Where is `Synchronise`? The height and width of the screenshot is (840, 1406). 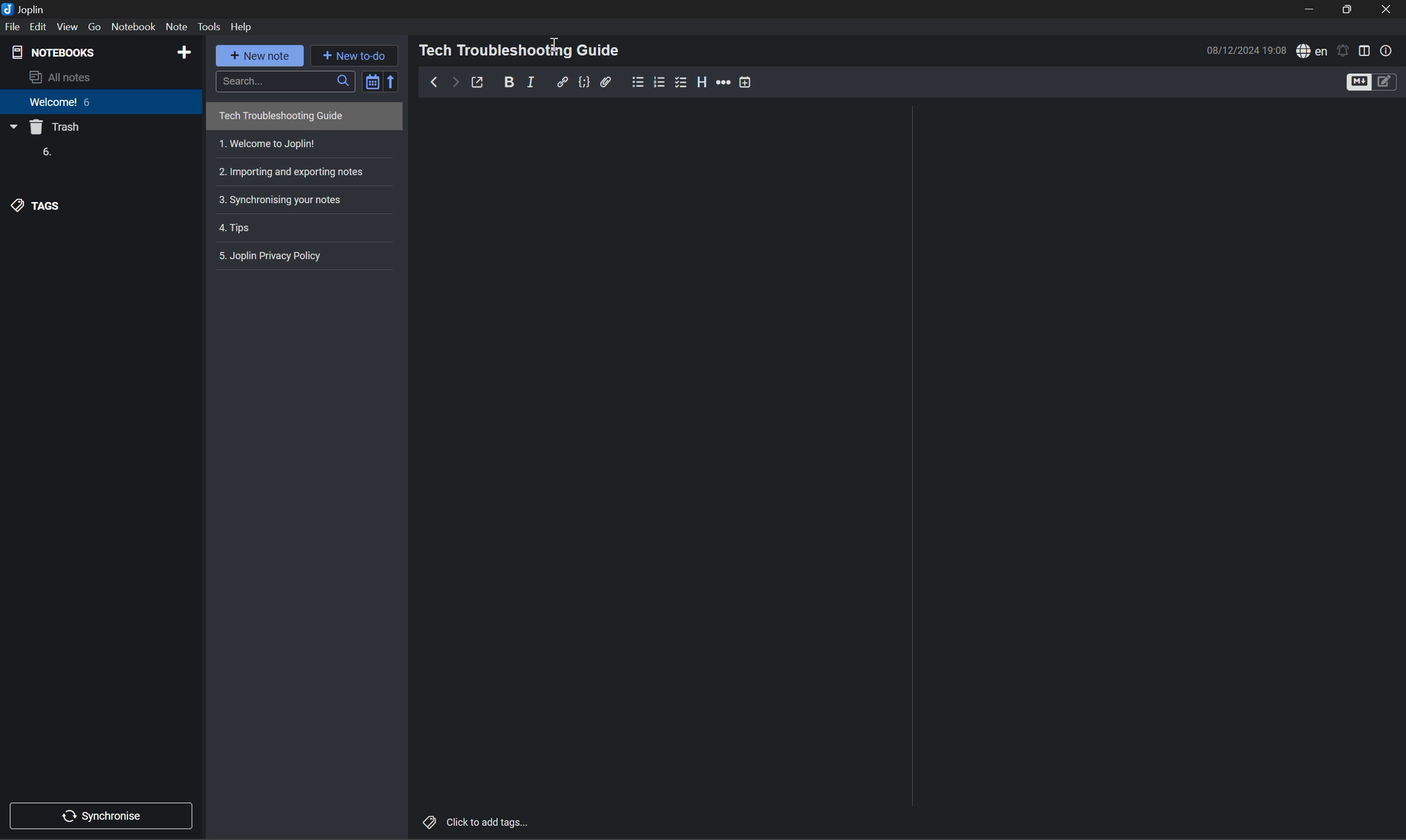 Synchronise is located at coordinates (105, 814).